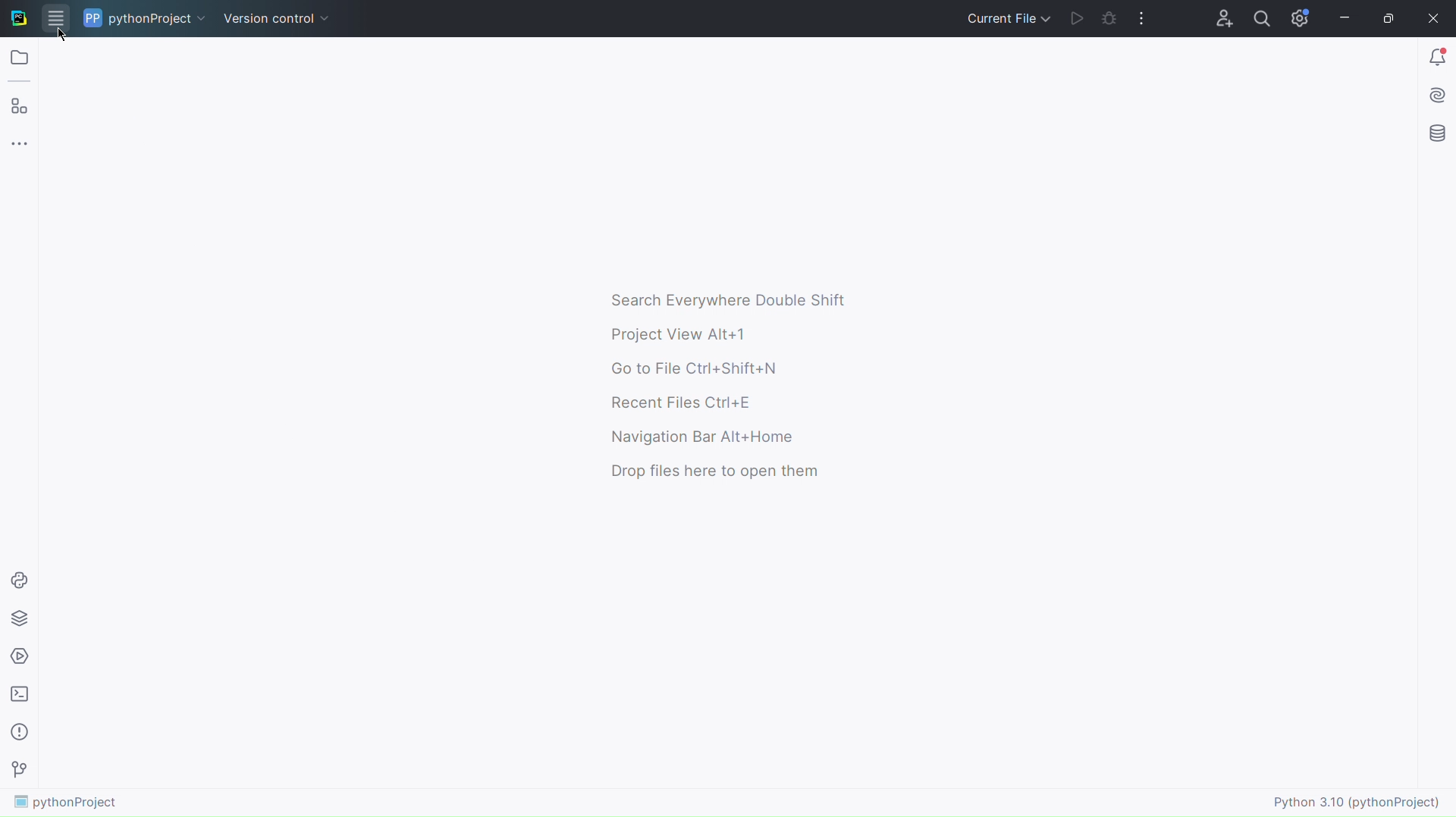  Describe the element at coordinates (684, 401) in the screenshot. I see `Recent Files` at that location.